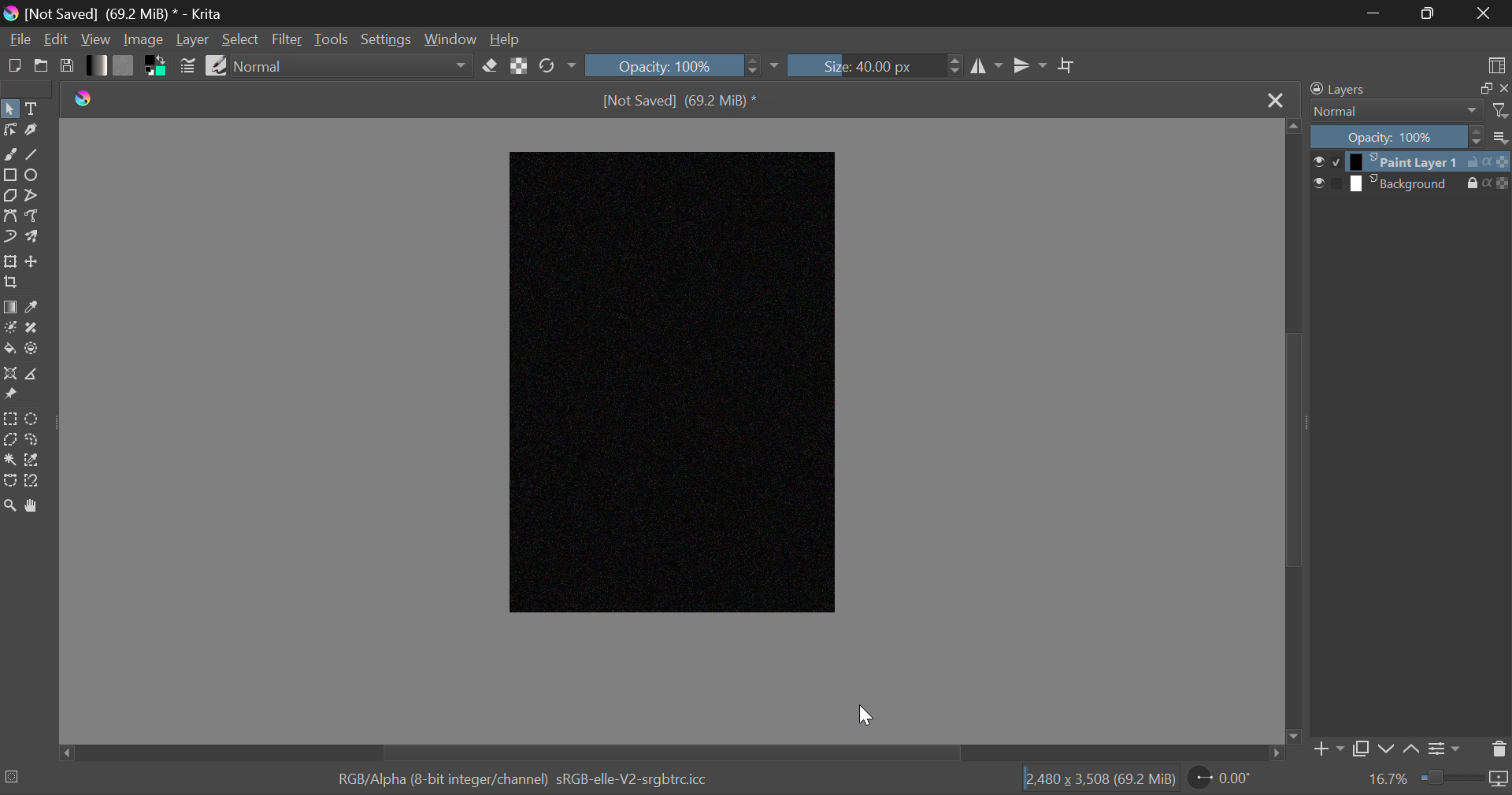 The image size is (1512, 795). I want to click on Polygon Selection, so click(9, 440).